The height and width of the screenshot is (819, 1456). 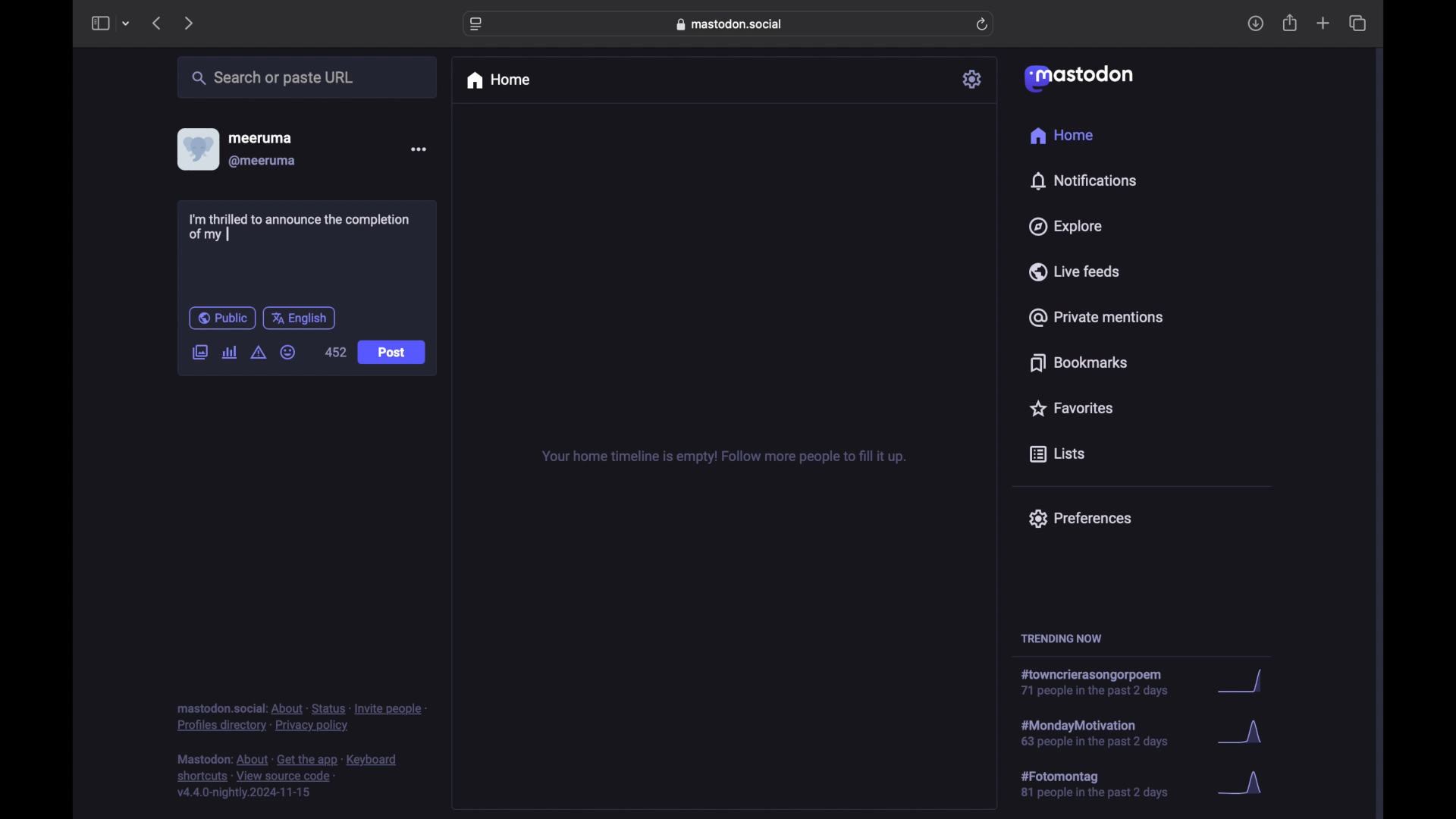 I want to click on display picture, so click(x=196, y=149).